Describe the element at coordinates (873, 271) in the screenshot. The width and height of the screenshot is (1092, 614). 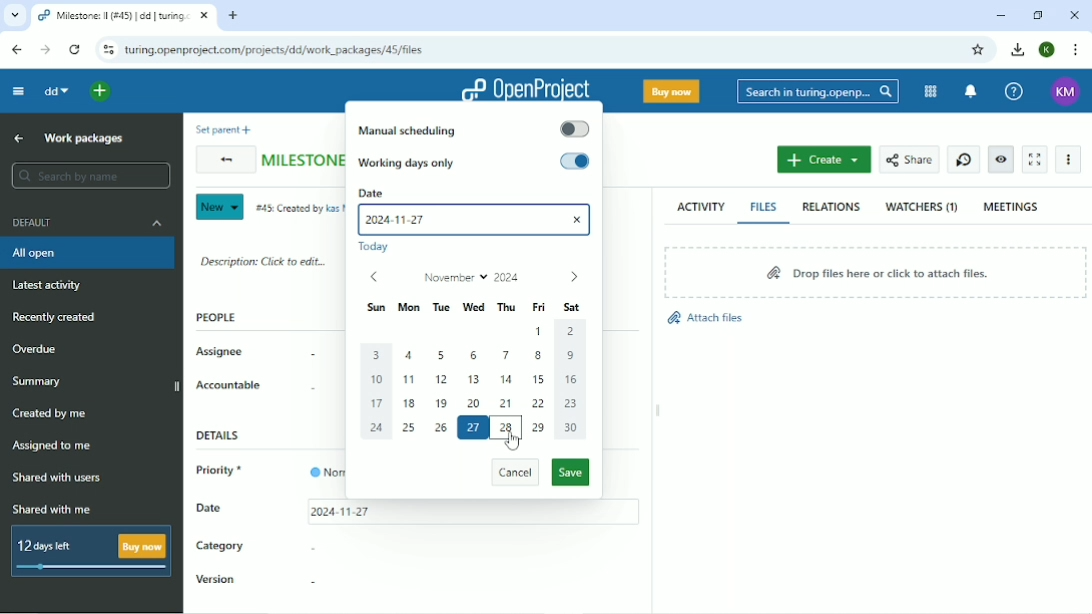
I see `Drop files here or click to attach files` at that location.